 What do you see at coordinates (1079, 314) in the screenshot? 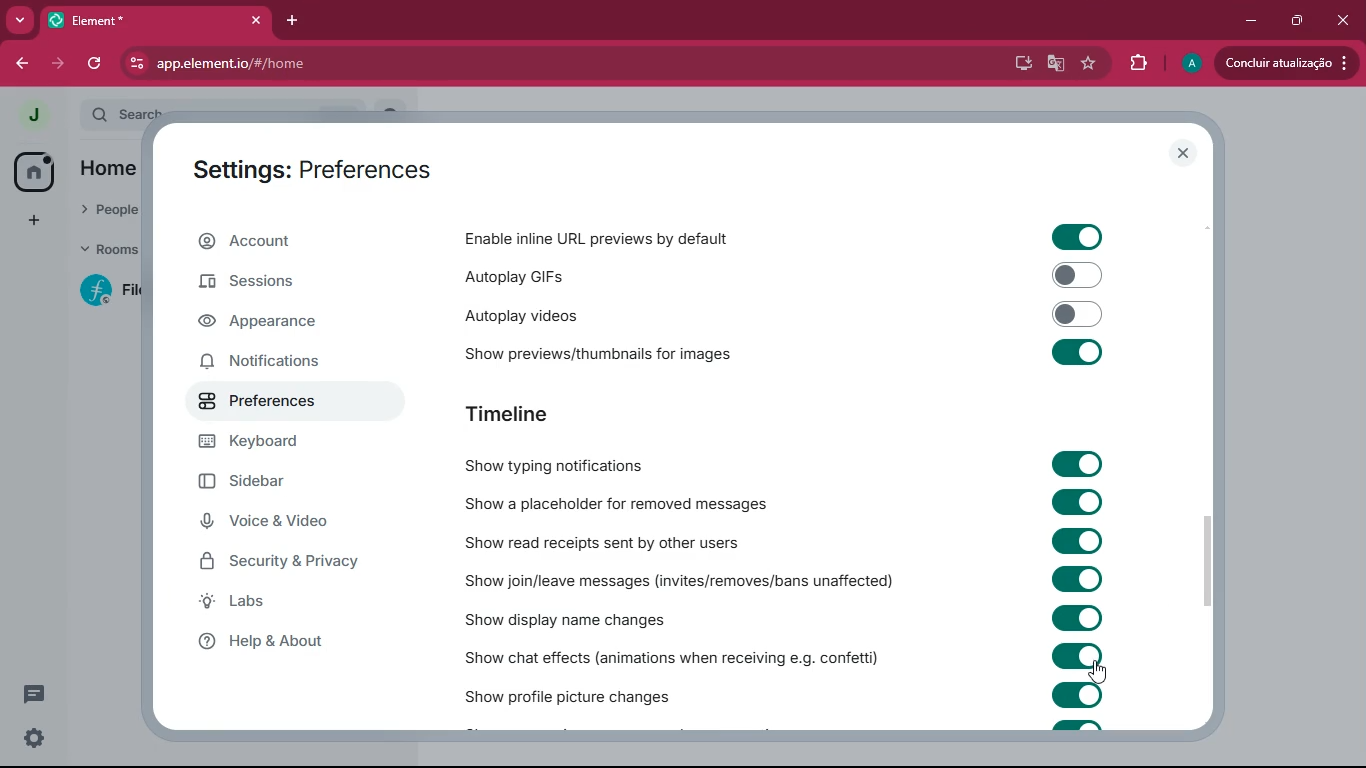
I see `toggle on/off` at bounding box center [1079, 314].